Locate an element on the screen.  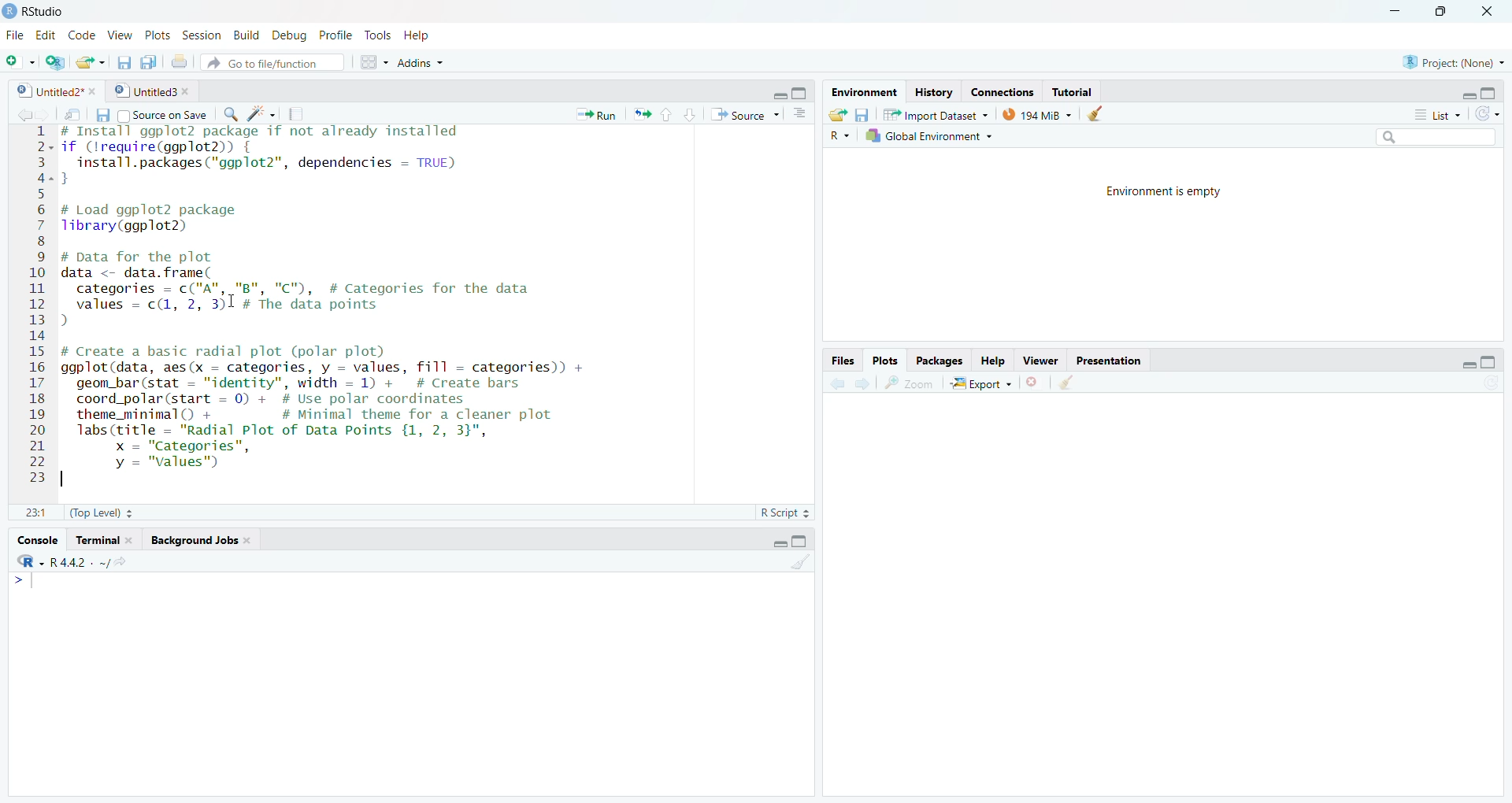
Minimize is located at coordinates (1468, 366).